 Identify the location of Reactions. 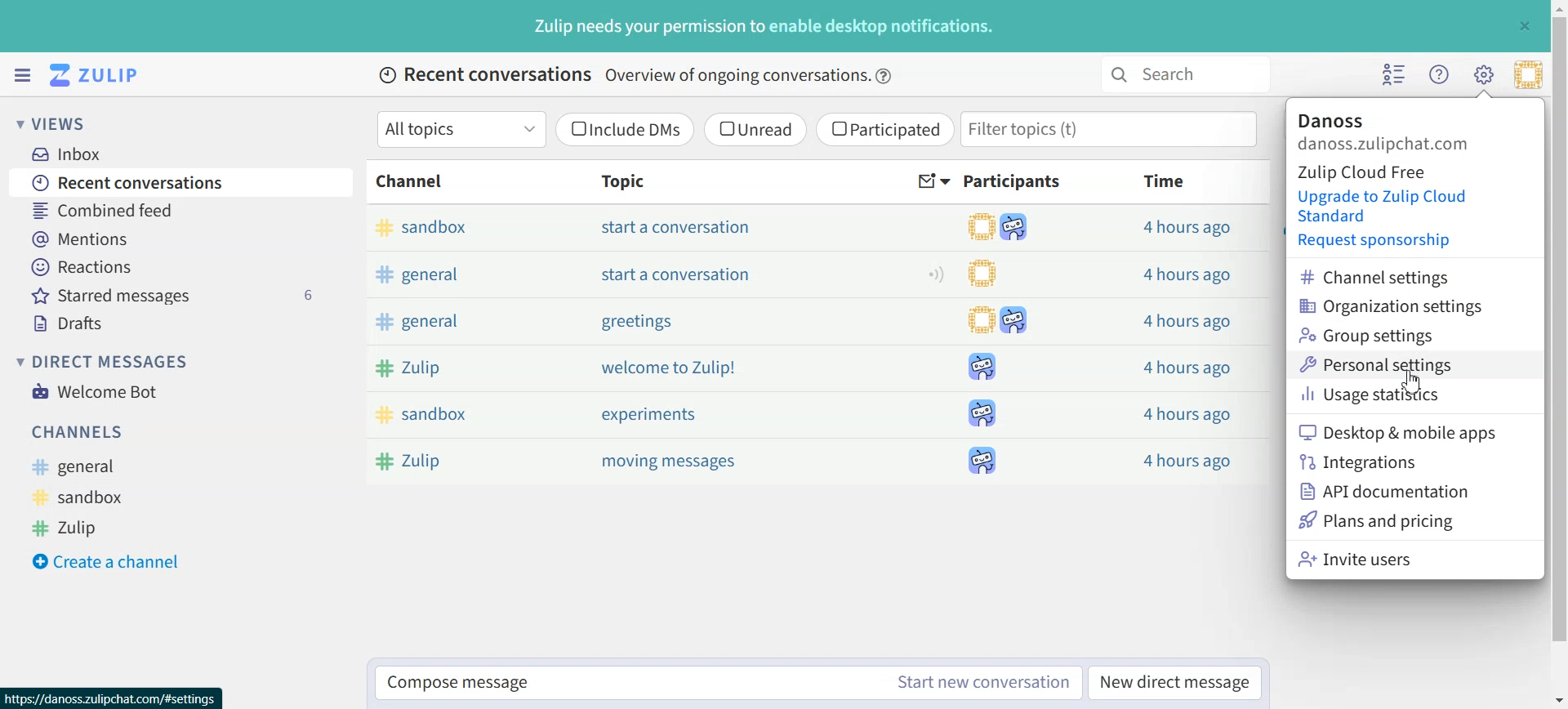
(182, 267).